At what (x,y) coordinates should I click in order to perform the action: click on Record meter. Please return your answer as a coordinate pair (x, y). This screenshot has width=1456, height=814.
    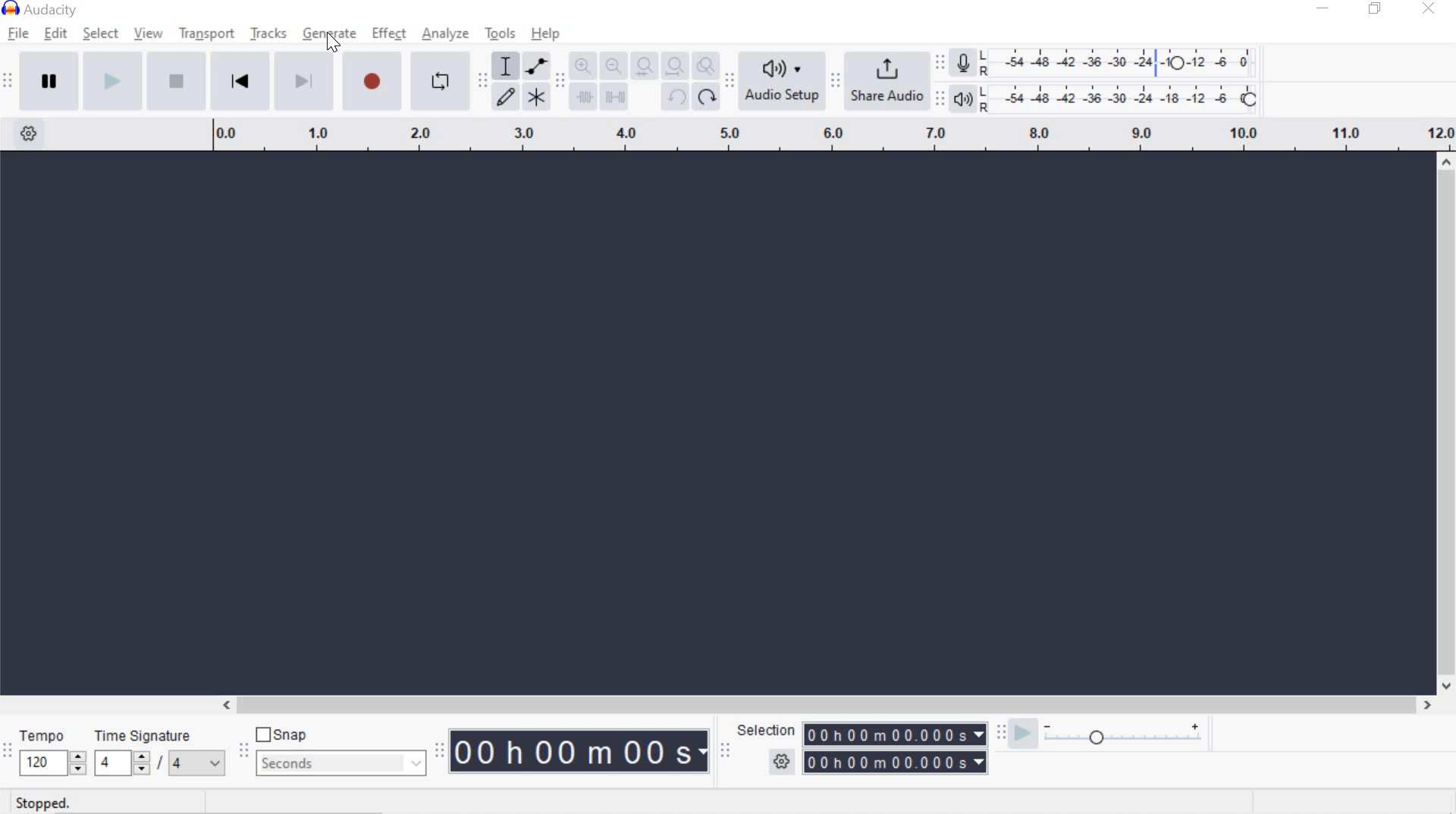
    Looking at the image, I should click on (966, 64).